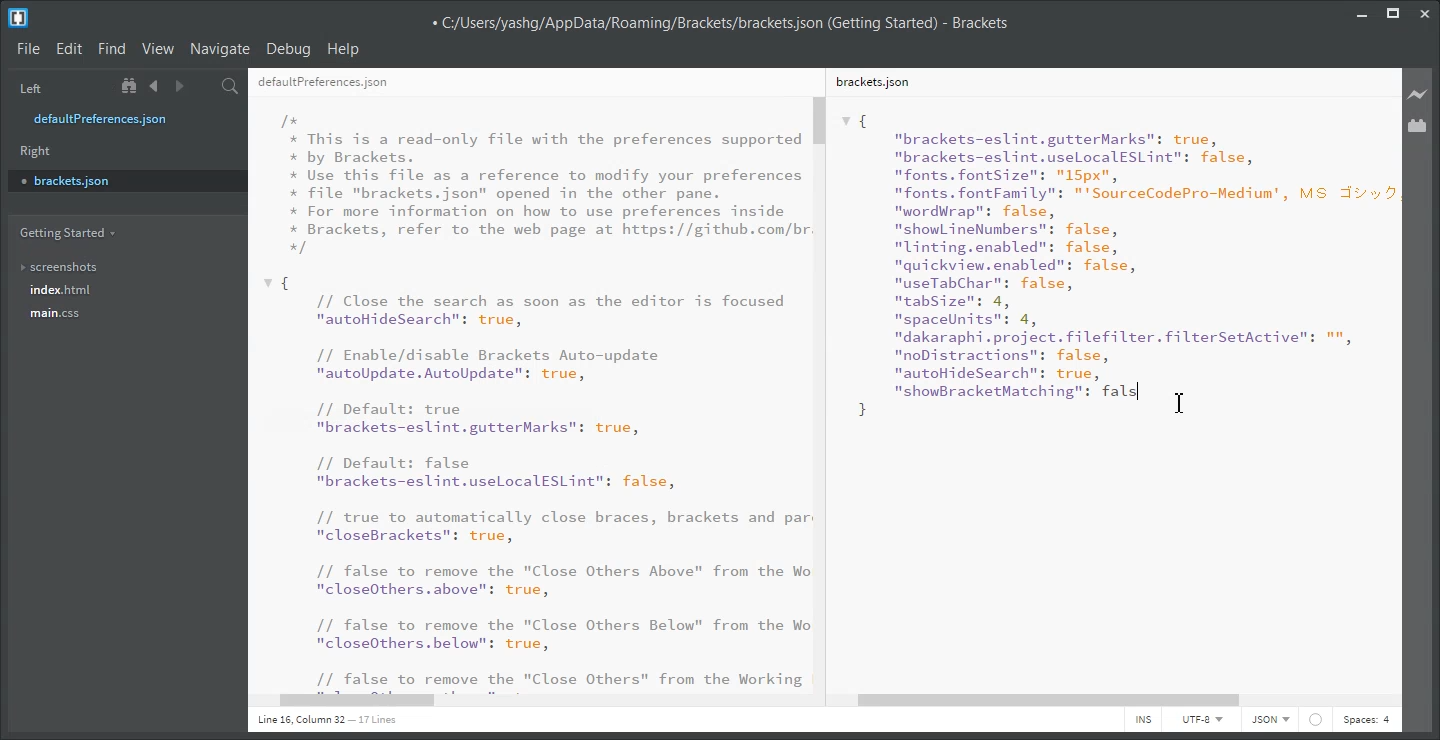 The height and width of the screenshot is (740, 1440). What do you see at coordinates (113, 119) in the screenshot?
I see `defaultPreferences.json` at bounding box center [113, 119].